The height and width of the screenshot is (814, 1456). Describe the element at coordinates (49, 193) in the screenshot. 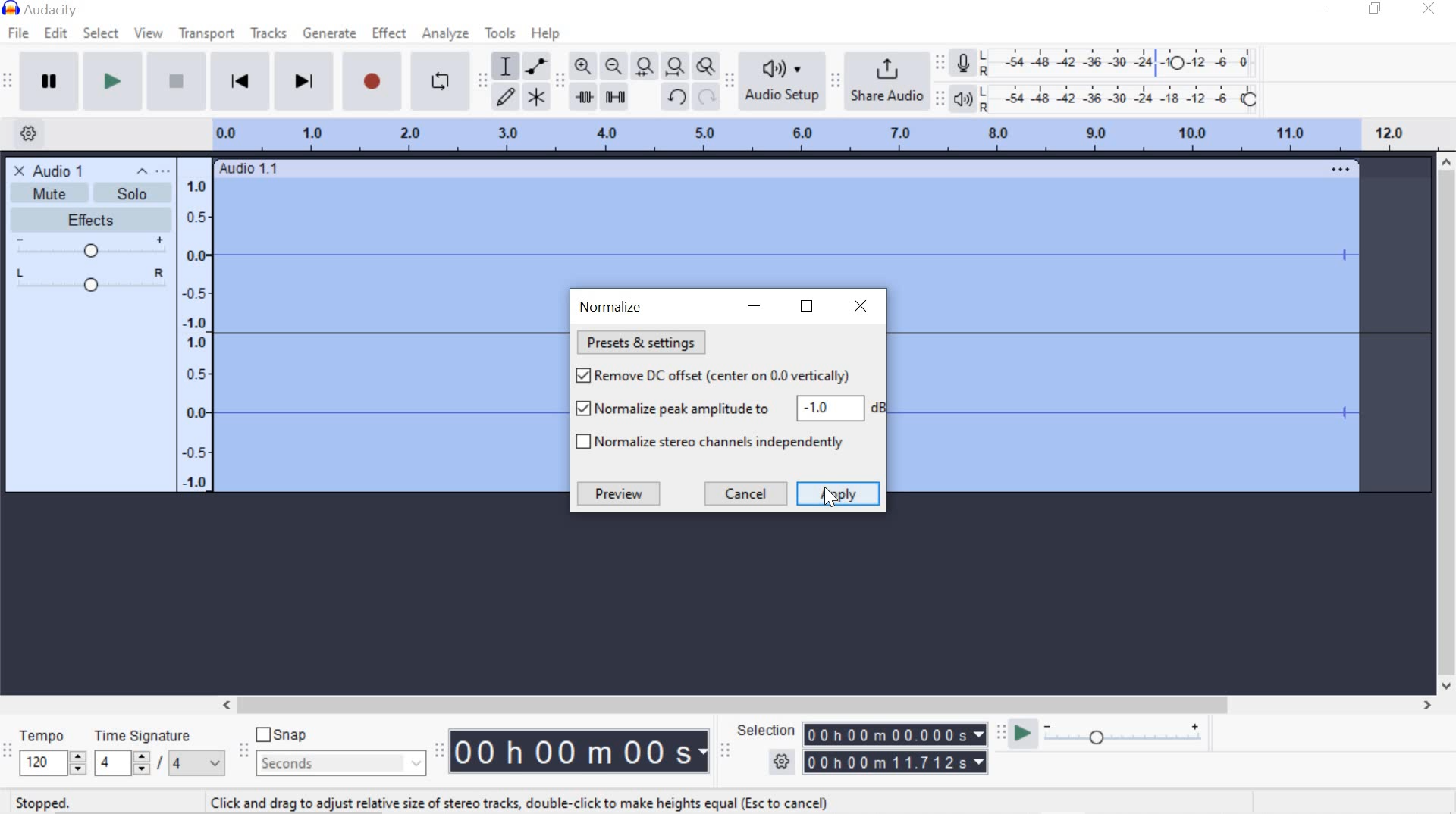

I see `mute` at that location.